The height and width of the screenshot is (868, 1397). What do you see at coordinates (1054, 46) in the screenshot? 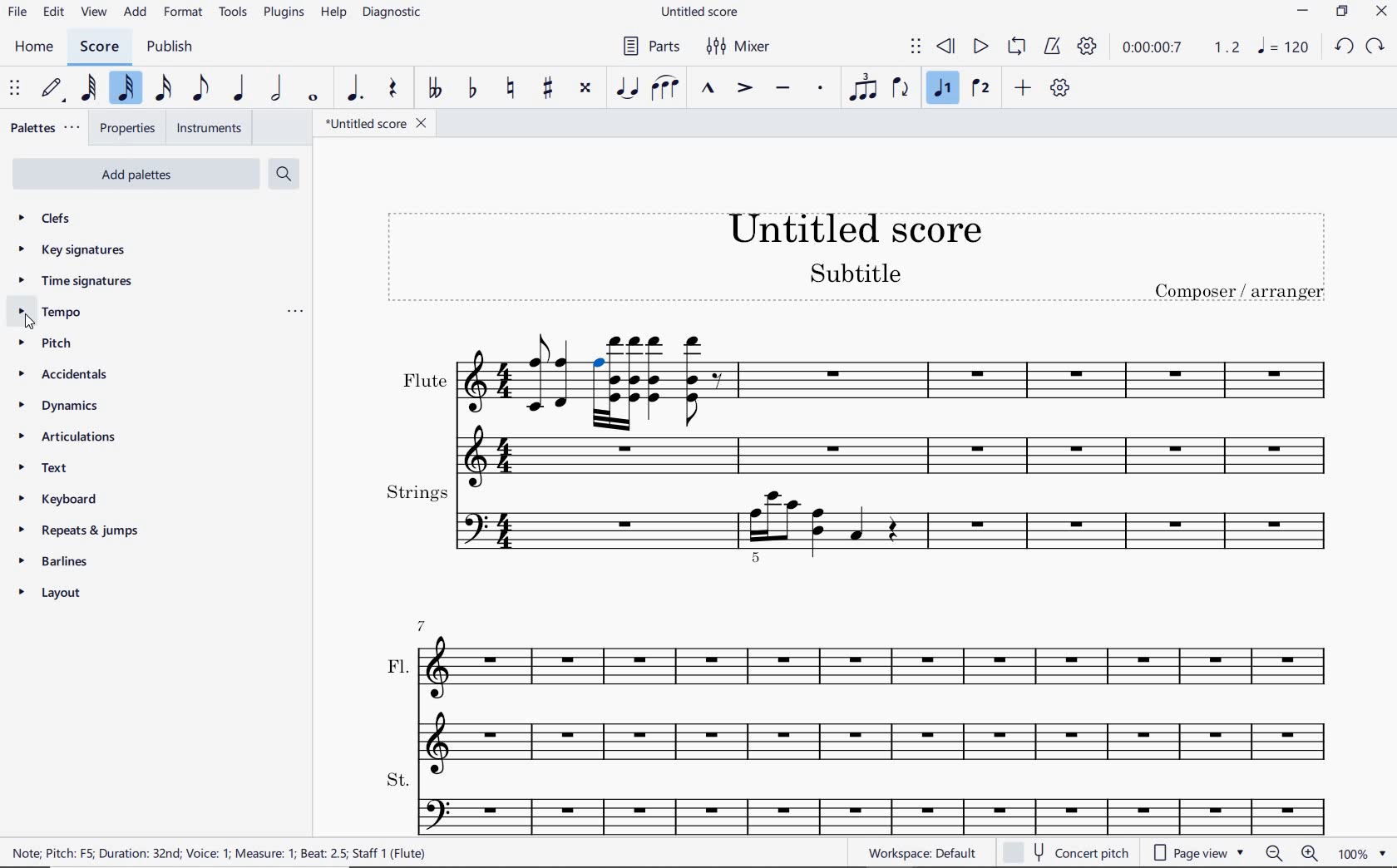
I see `METRONOME` at bounding box center [1054, 46].